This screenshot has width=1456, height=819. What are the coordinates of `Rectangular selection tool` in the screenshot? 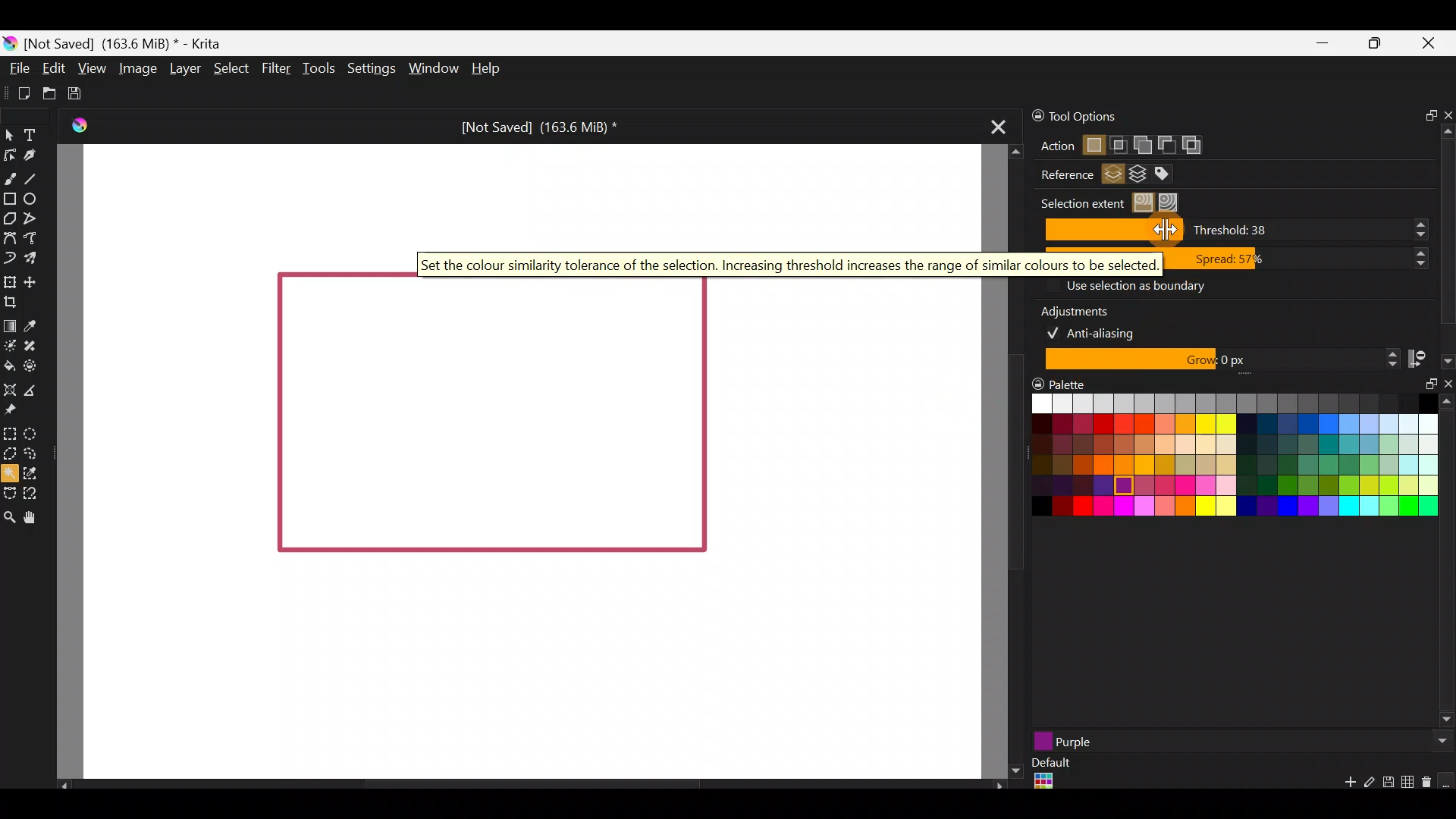 It's located at (13, 434).